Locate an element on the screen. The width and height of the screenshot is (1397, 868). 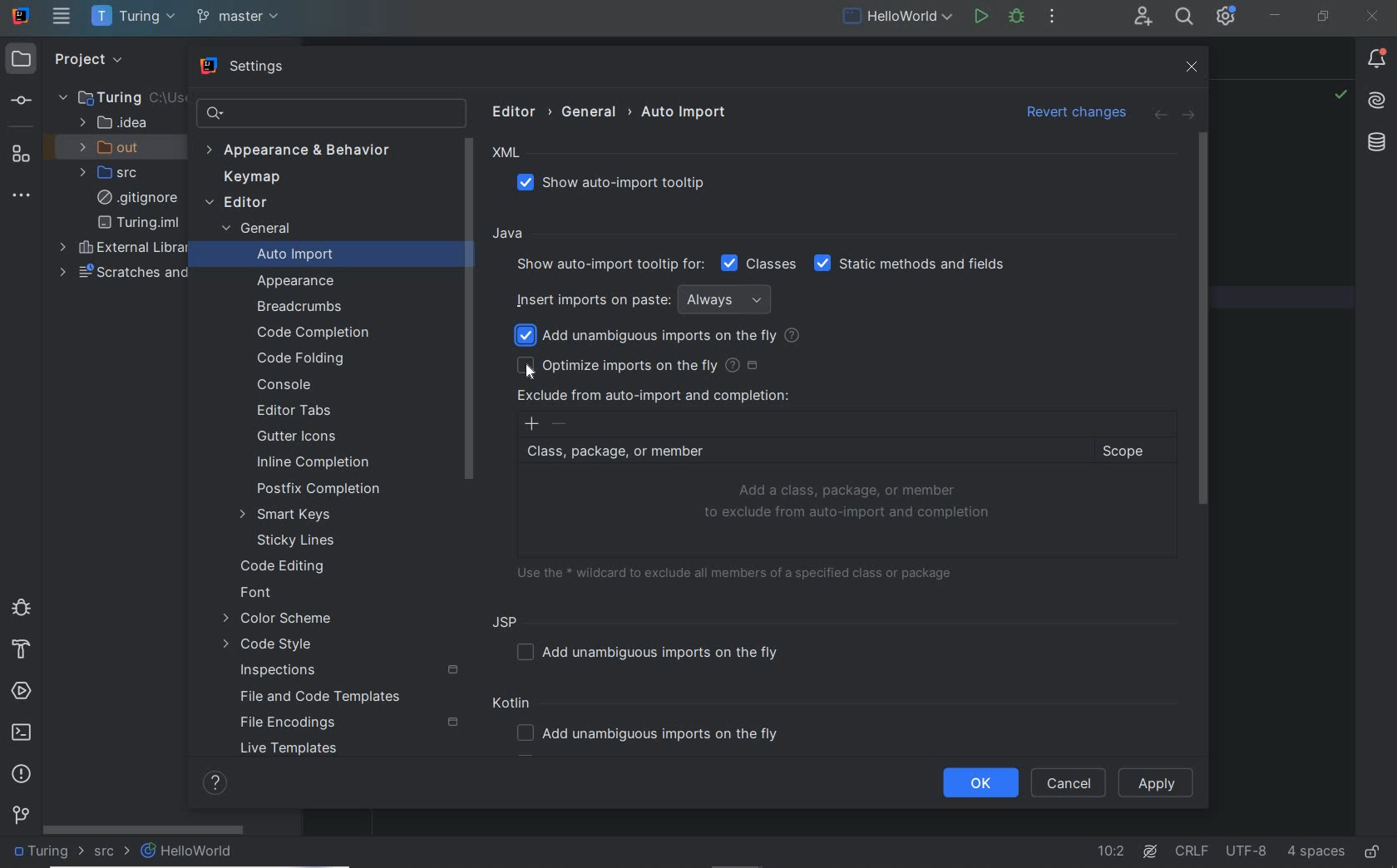
build is located at coordinates (19, 650).